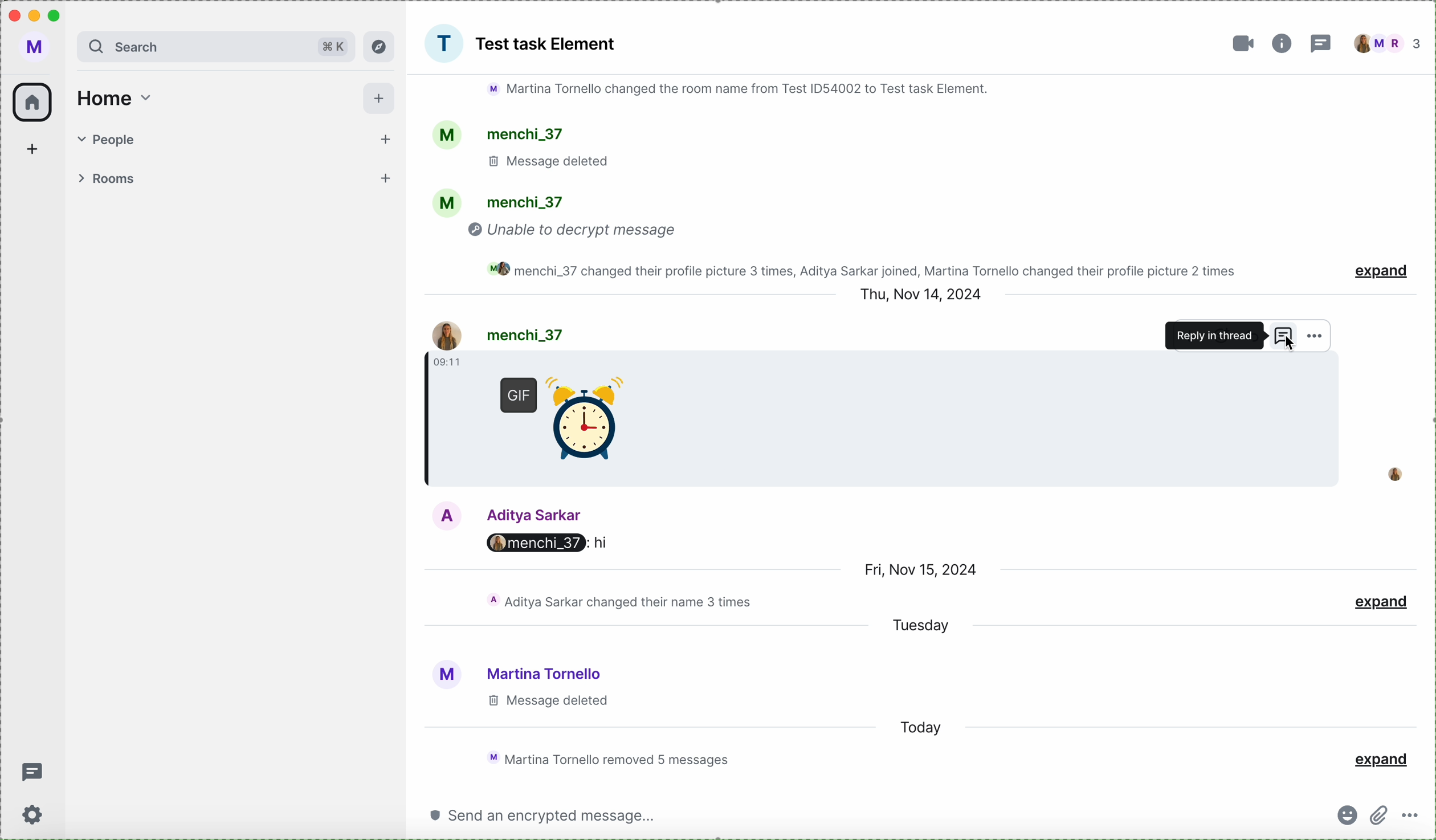 Image resolution: width=1436 pixels, height=840 pixels. What do you see at coordinates (924, 294) in the screenshot?
I see `date` at bounding box center [924, 294].